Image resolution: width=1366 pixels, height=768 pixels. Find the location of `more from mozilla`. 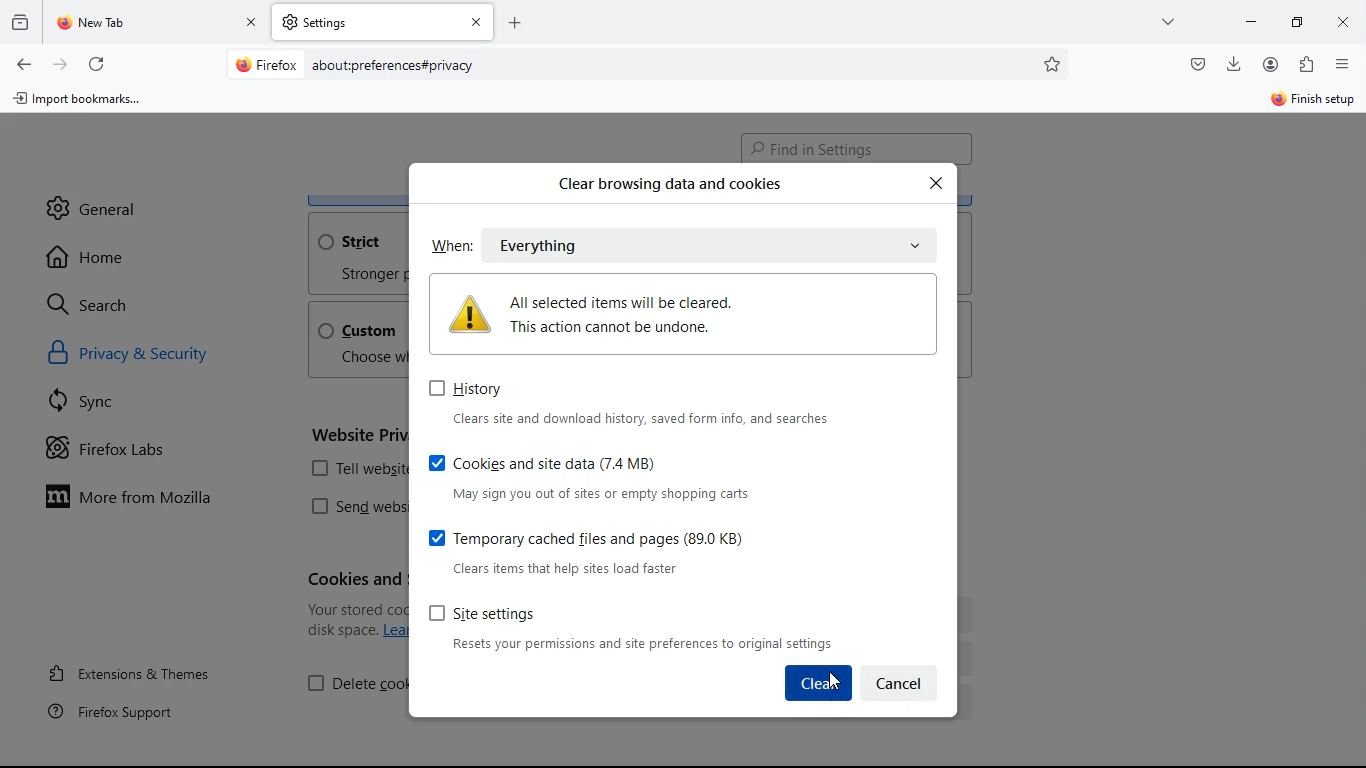

more from mozilla is located at coordinates (146, 500).